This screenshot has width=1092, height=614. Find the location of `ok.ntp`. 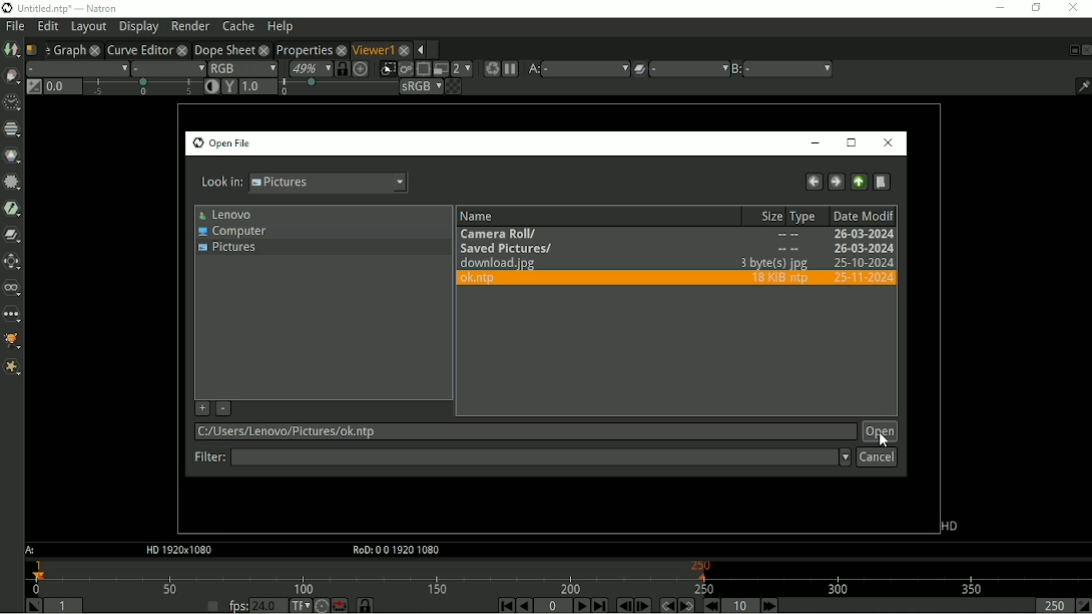

ok.ntp is located at coordinates (676, 281).